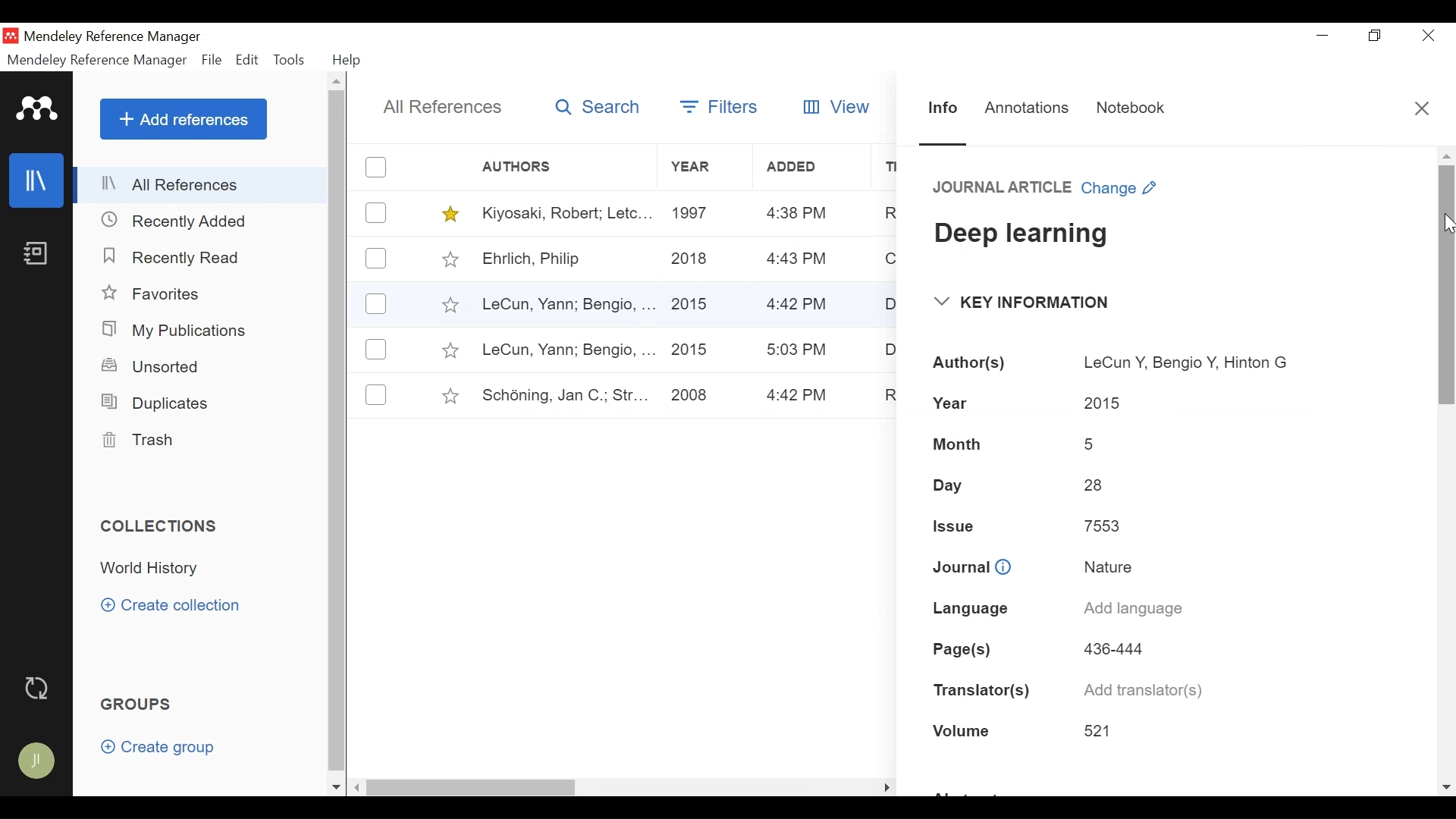 The image size is (1456, 819). I want to click on Filters, so click(722, 104).